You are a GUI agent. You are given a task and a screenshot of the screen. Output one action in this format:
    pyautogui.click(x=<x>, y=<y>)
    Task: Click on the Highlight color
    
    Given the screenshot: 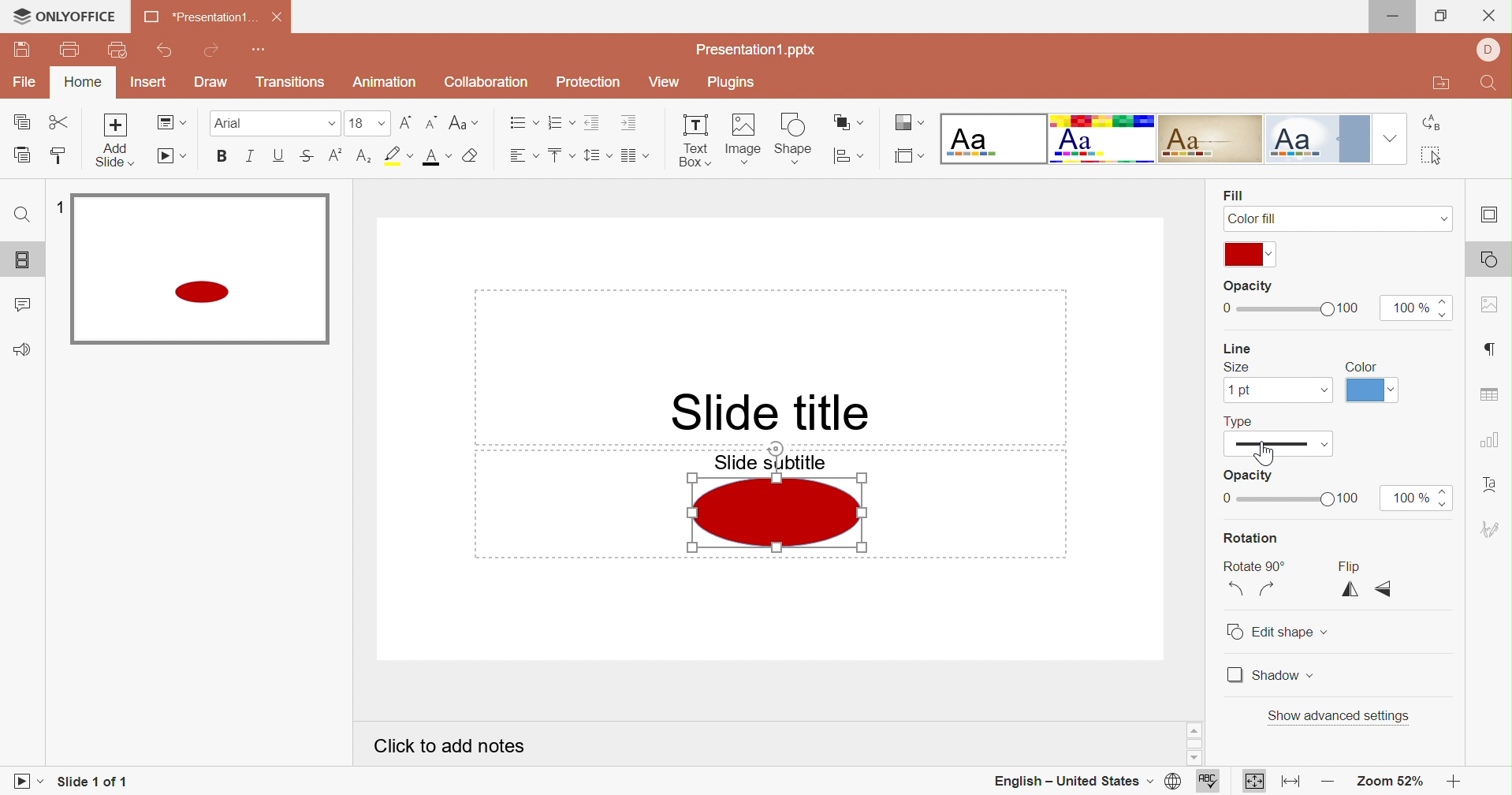 What is the action you would take?
    pyautogui.click(x=396, y=155)
    